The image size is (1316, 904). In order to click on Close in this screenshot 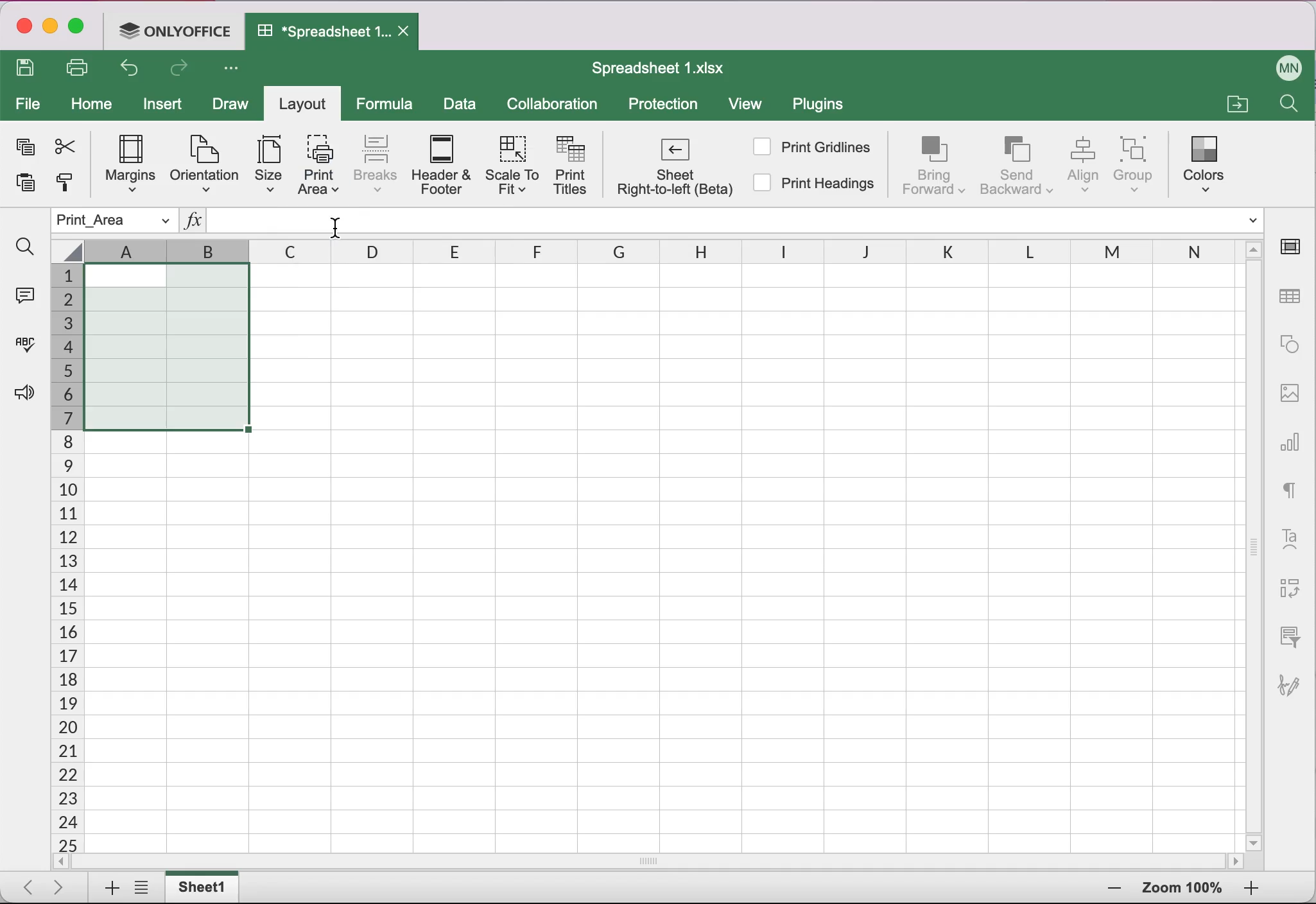, I will do `click(406, 32)`.